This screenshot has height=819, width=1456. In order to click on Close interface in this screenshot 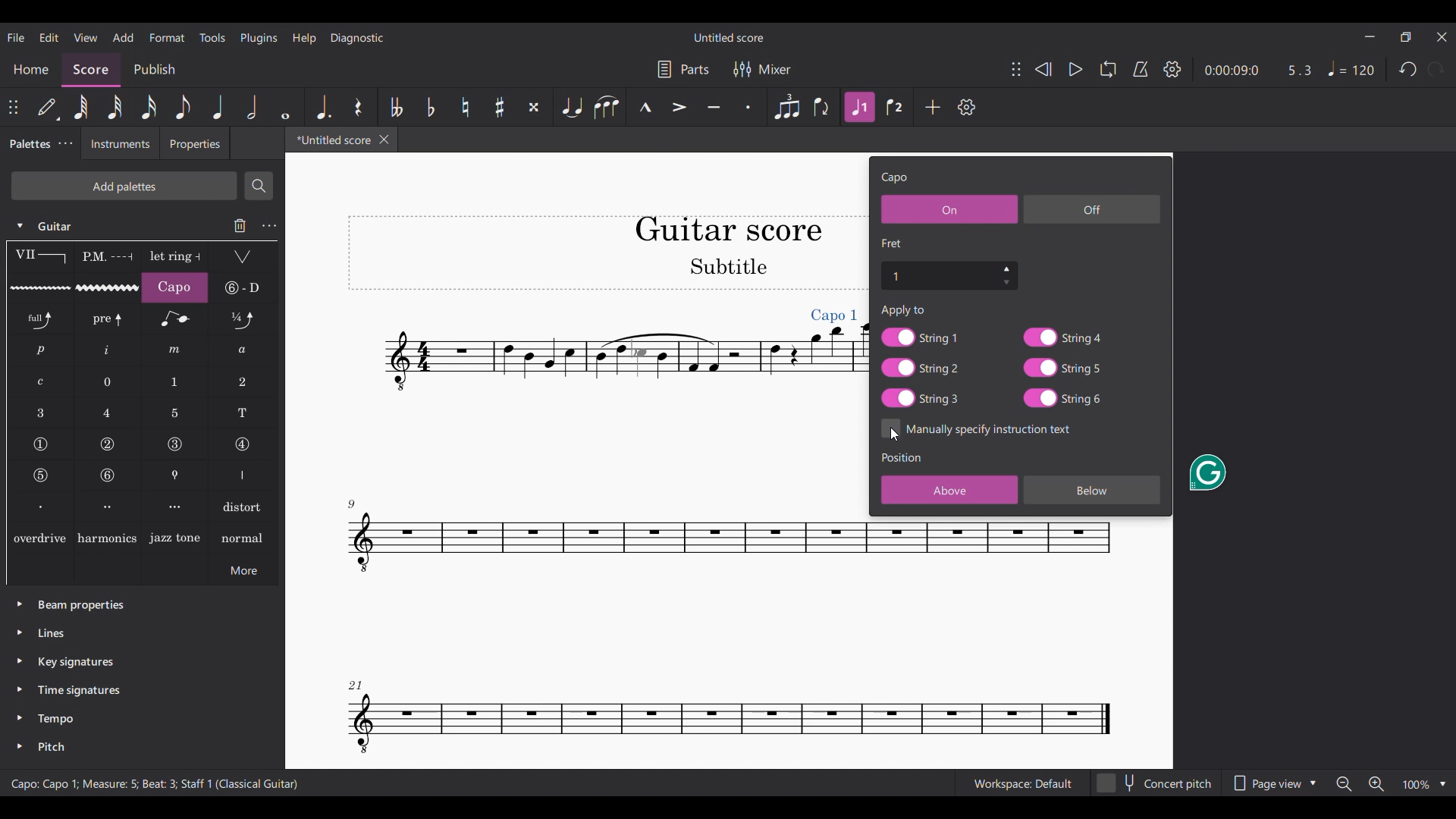, I will do `click(1442, 37)`.